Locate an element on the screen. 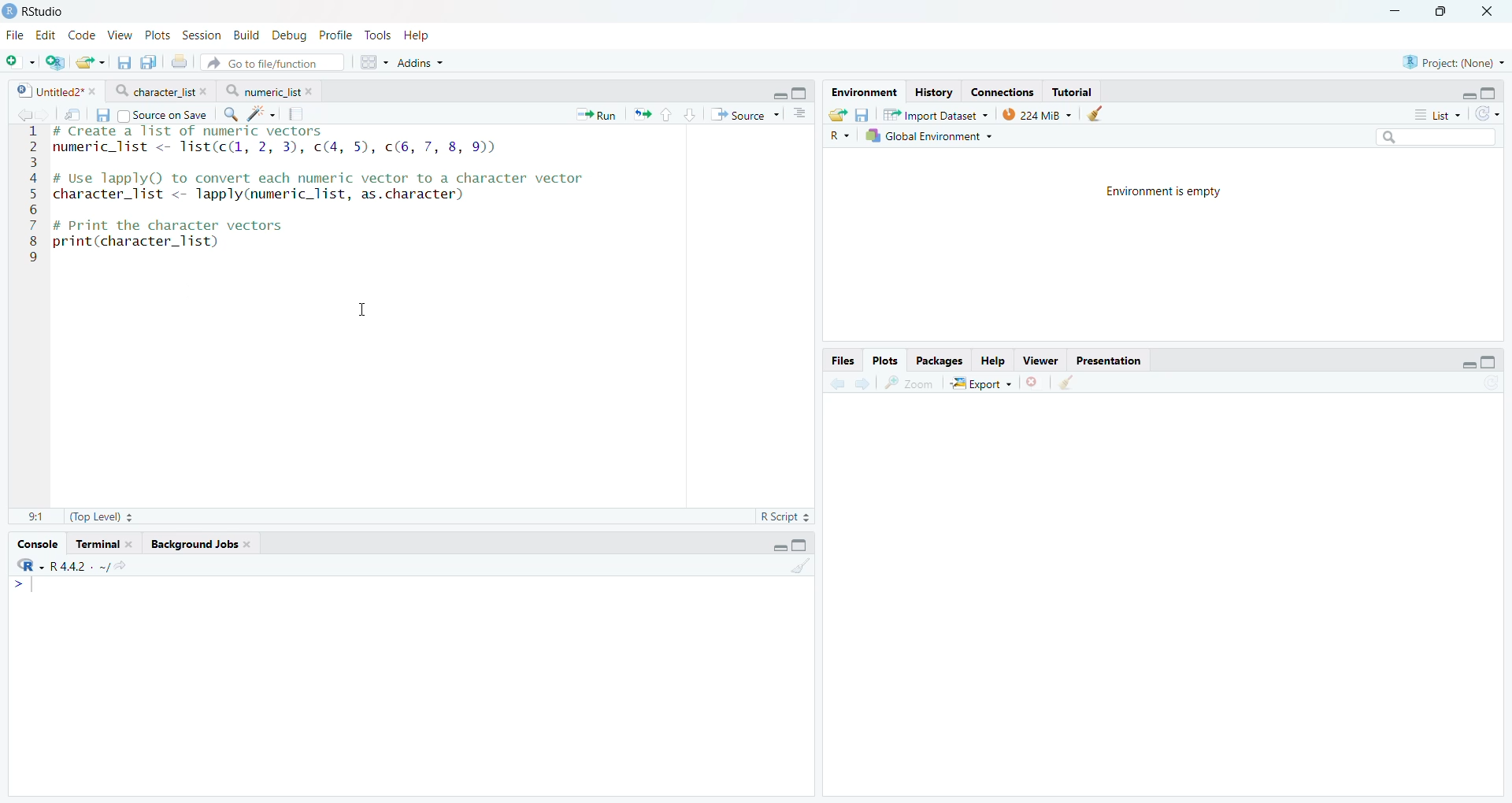  (Top Level) is located at coordinates (100, 517).